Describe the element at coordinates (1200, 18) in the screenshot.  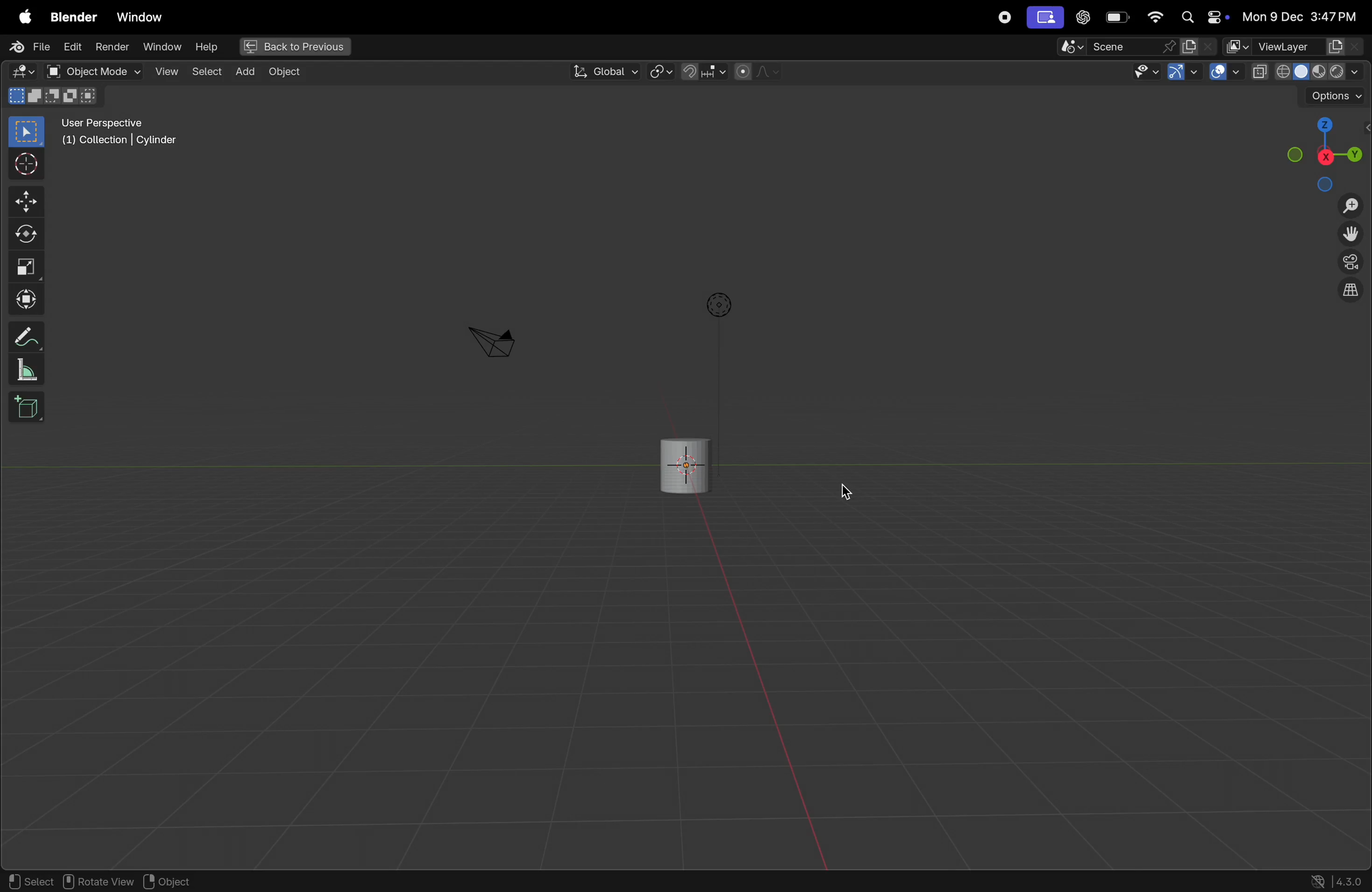
I see `apple widgets` at that location.